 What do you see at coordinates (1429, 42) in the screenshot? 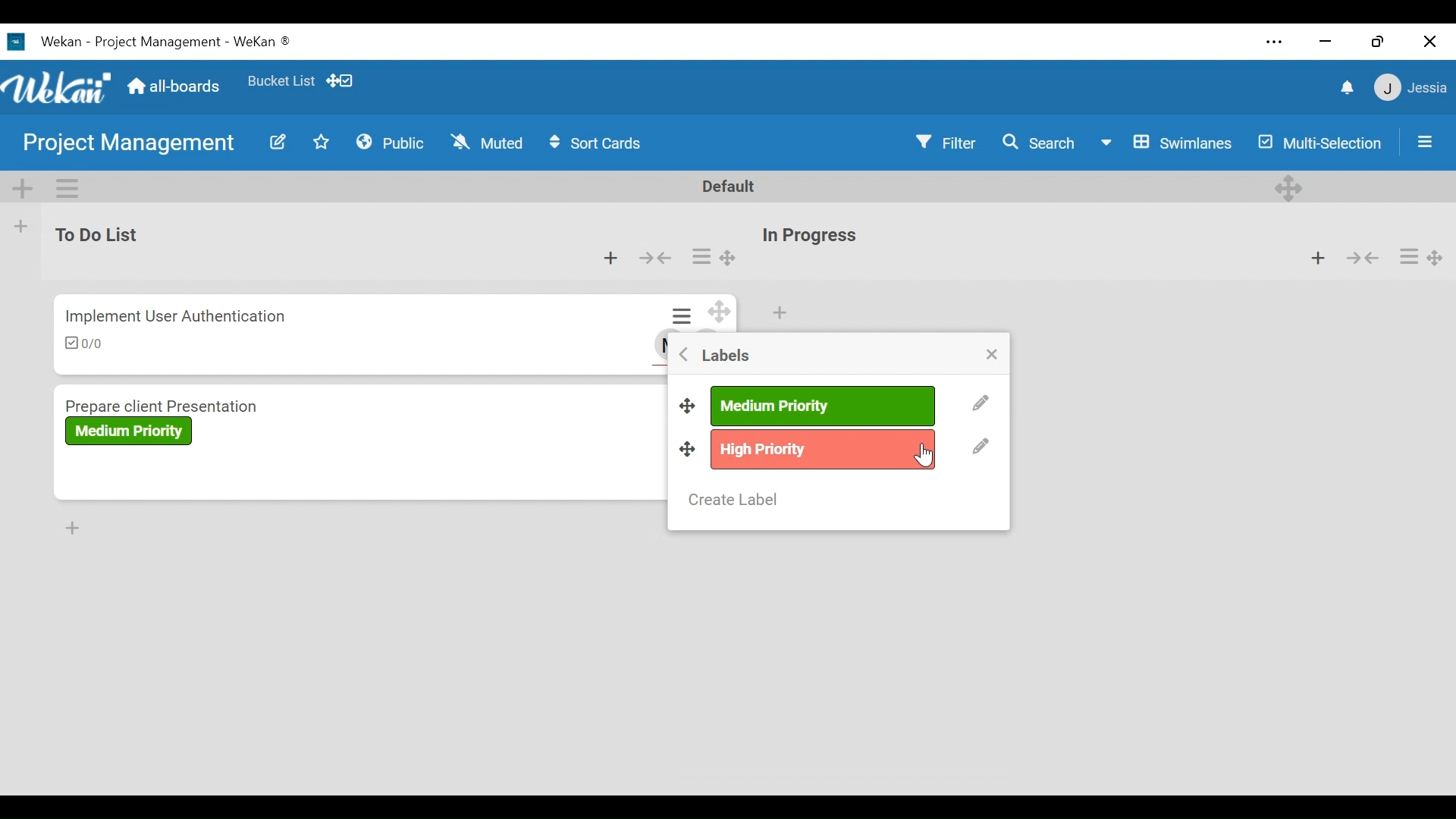
I see `close` at bounding box center [1429, 42].